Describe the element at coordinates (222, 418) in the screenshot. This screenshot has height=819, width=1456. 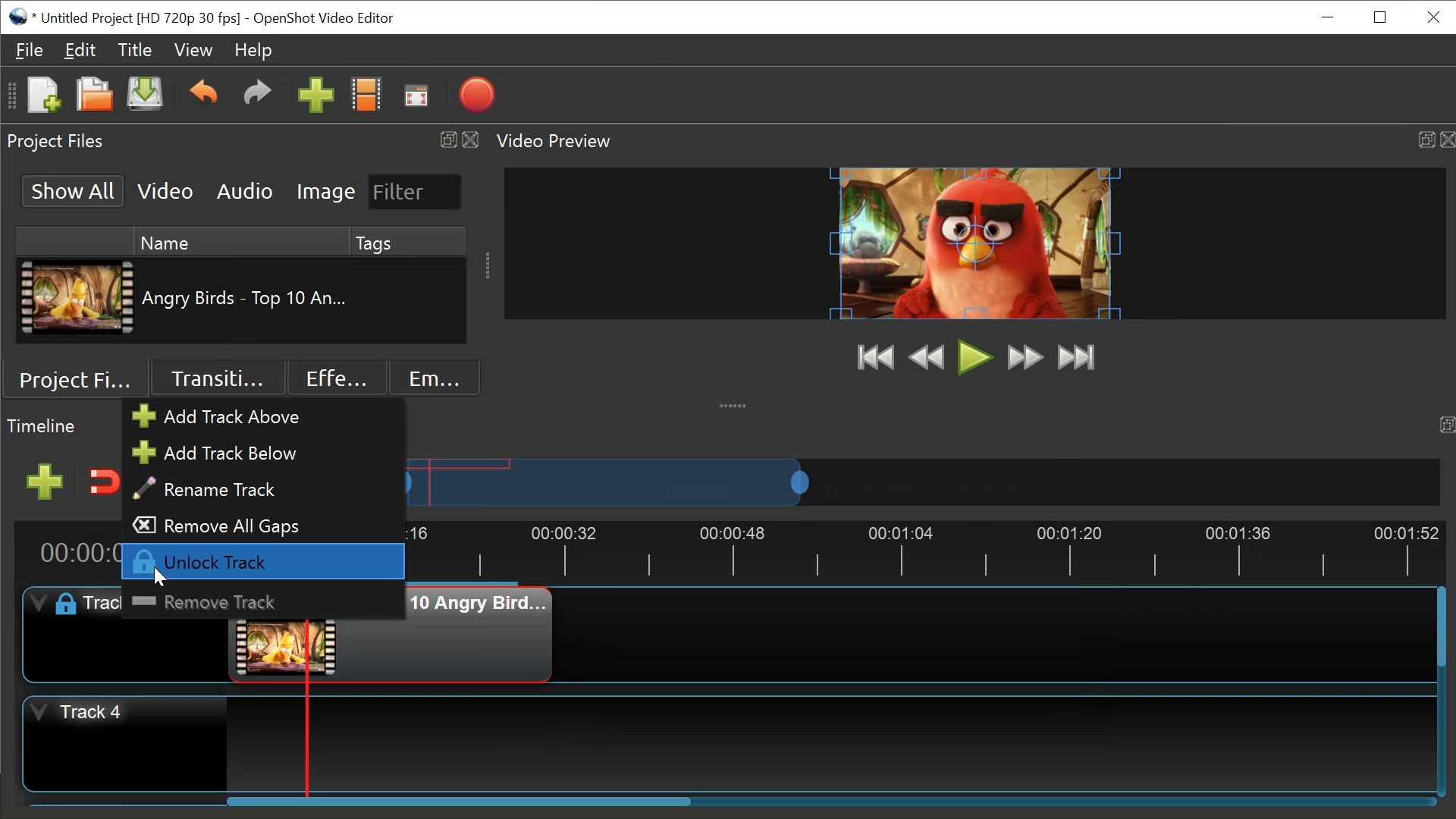
I see `Add track above` at that location.